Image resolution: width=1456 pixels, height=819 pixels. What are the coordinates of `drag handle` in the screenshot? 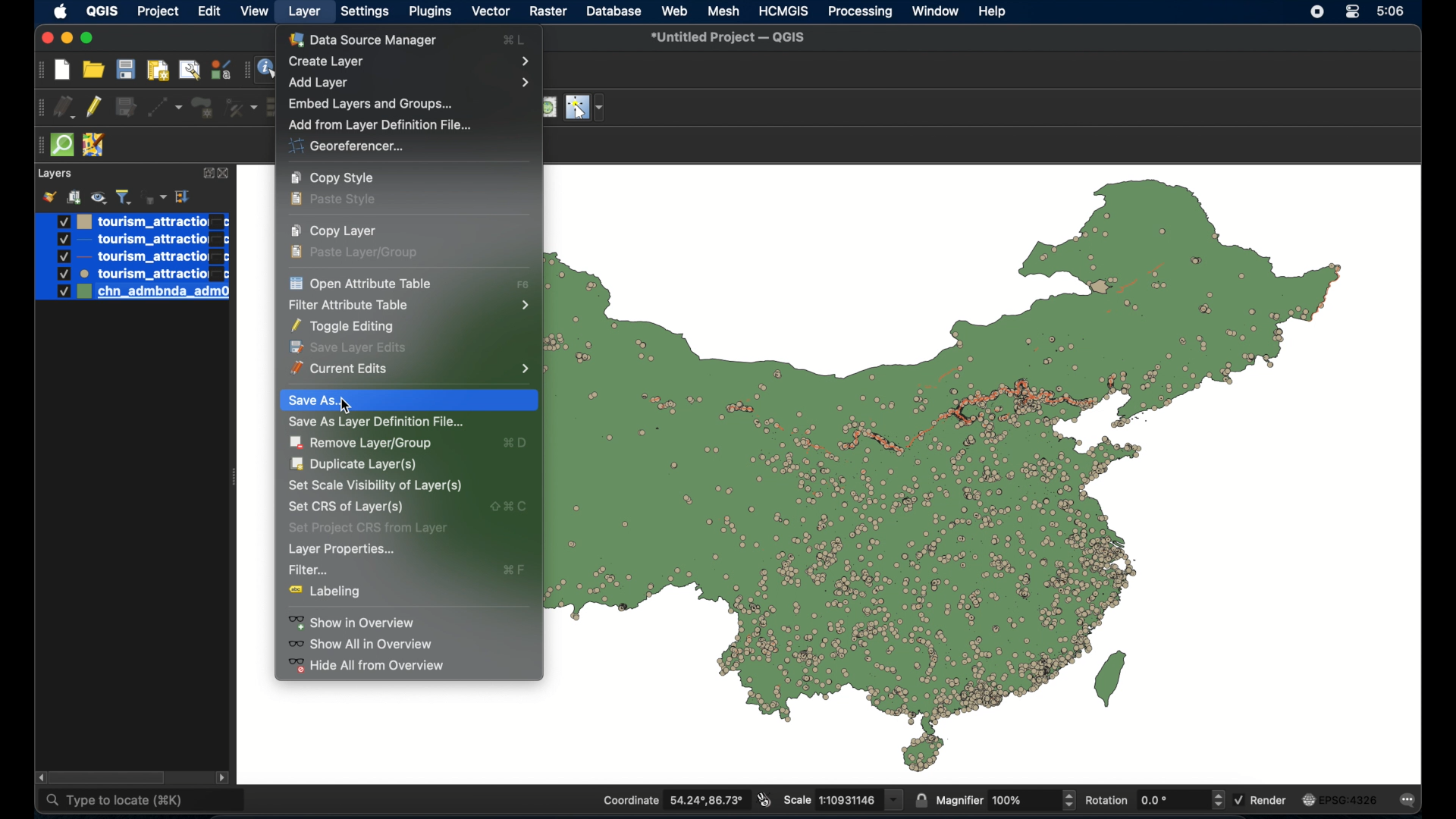 It's located at (37, 146).